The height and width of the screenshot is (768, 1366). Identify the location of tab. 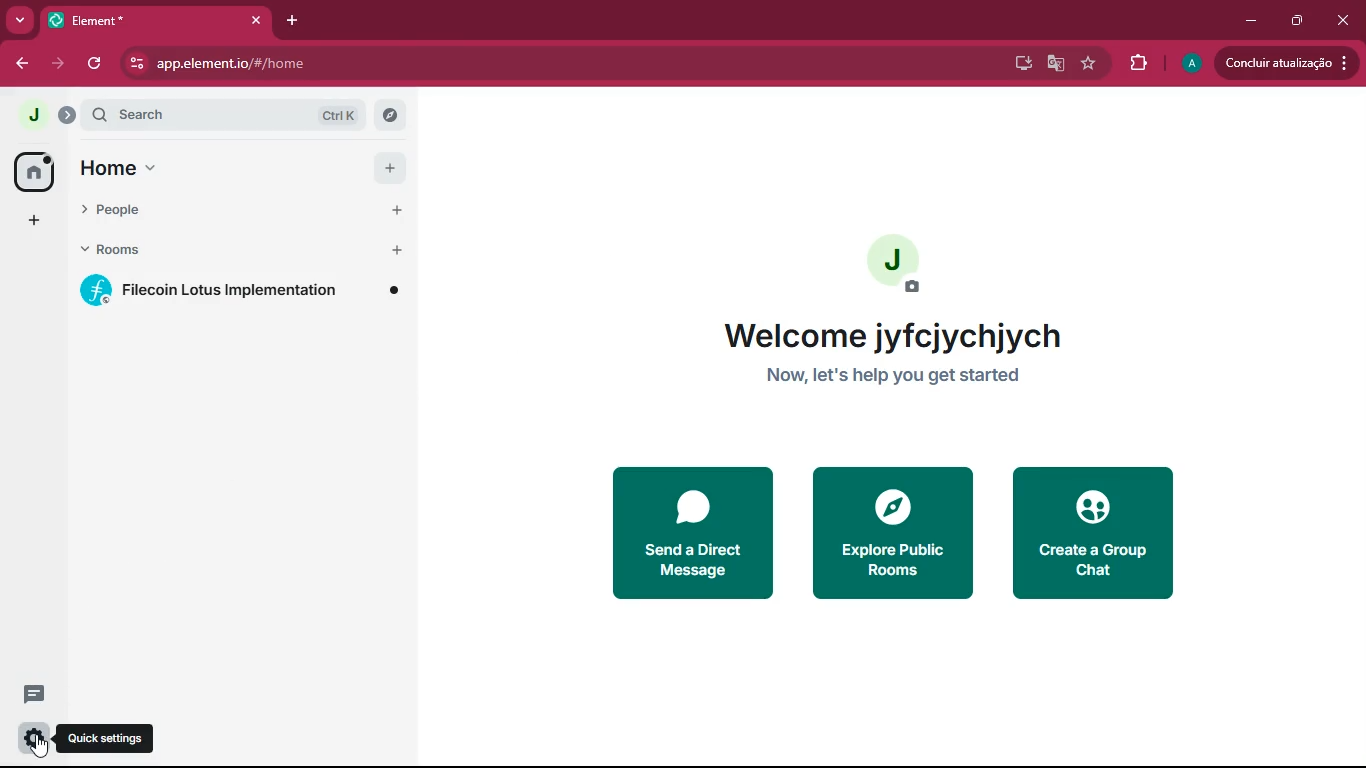
(157, 20).